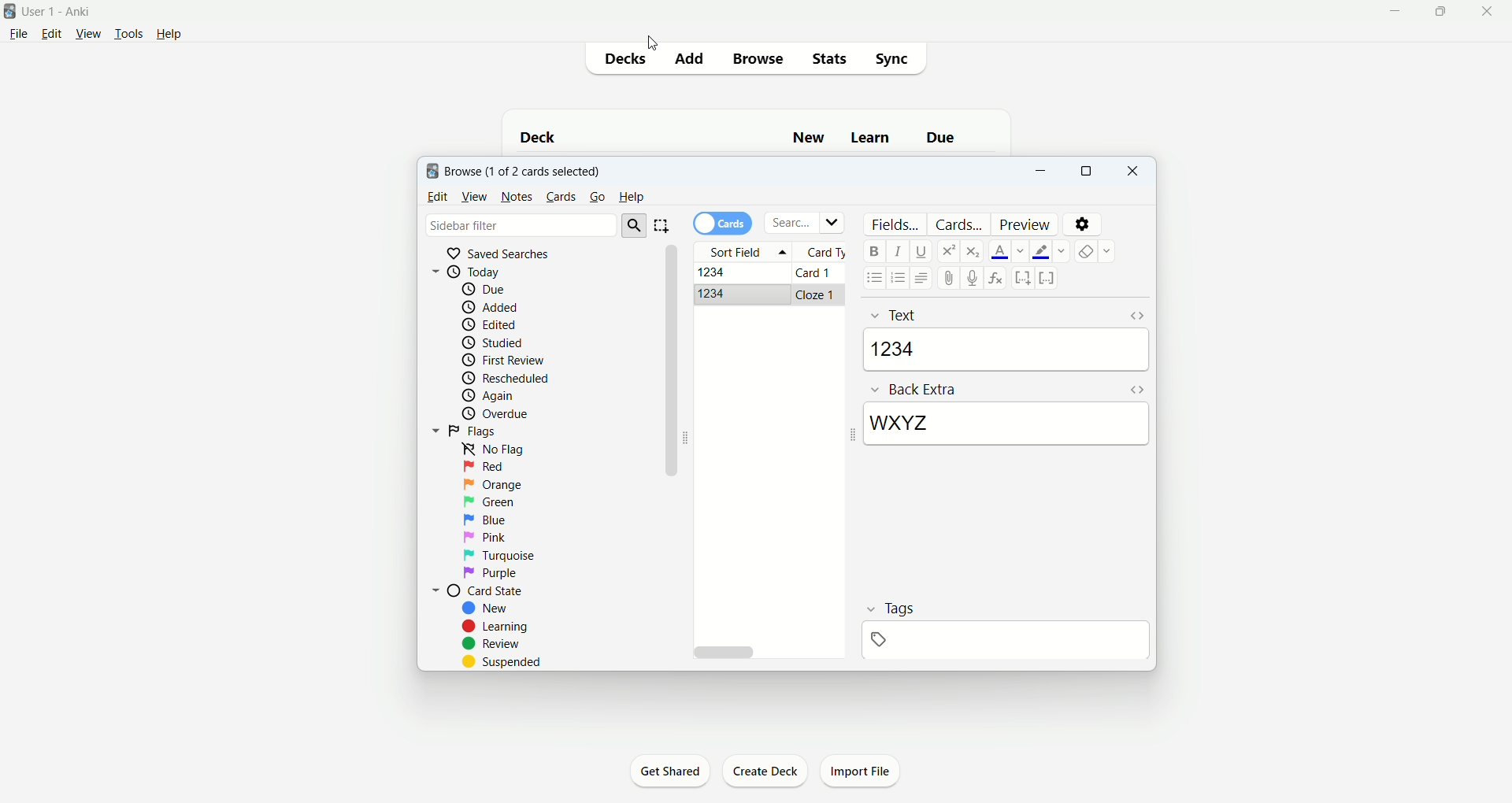 This screenshot has height=803, width=1512. What do you see at coordinates (639, 226) in the screenshot?
I see `search` at bounding box center [639, 226].